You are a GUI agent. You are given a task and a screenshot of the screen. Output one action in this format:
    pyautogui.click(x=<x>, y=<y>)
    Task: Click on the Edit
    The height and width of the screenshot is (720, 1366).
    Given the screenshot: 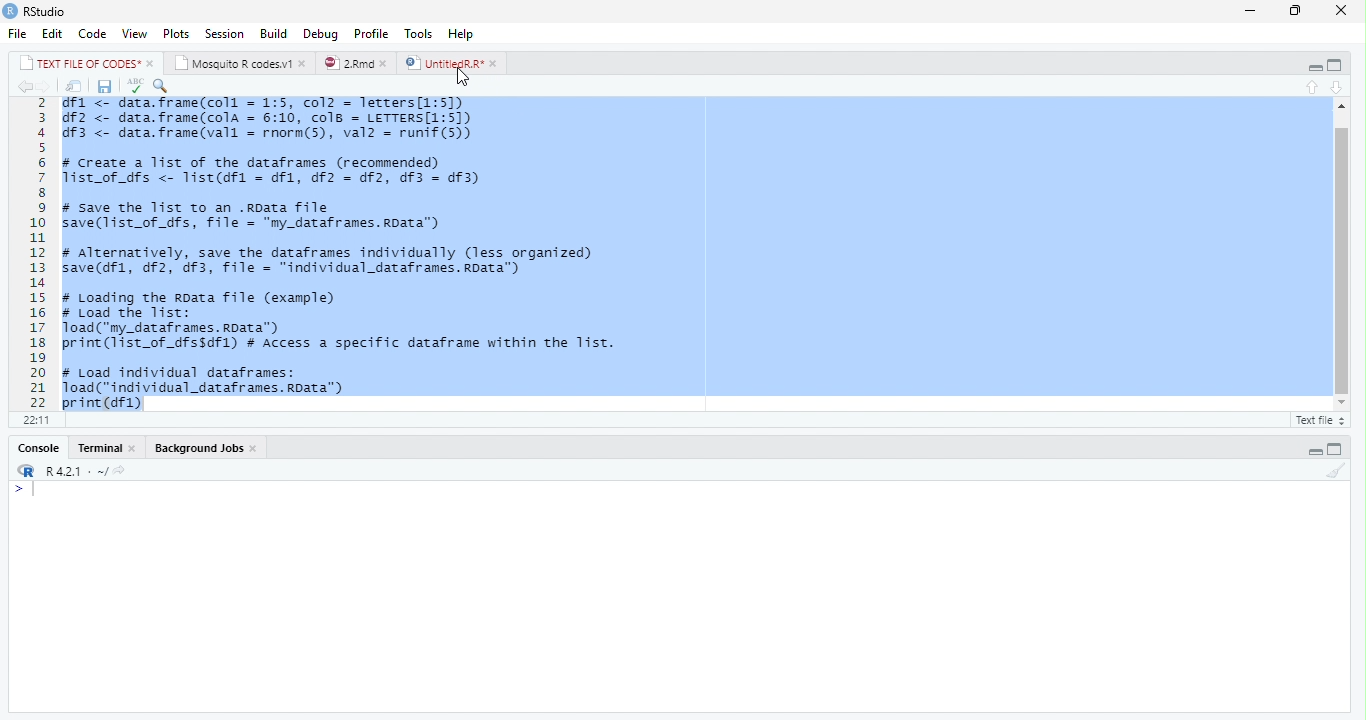 What is the action you would take?
    pyautogui.click(x=53, y=33)
    